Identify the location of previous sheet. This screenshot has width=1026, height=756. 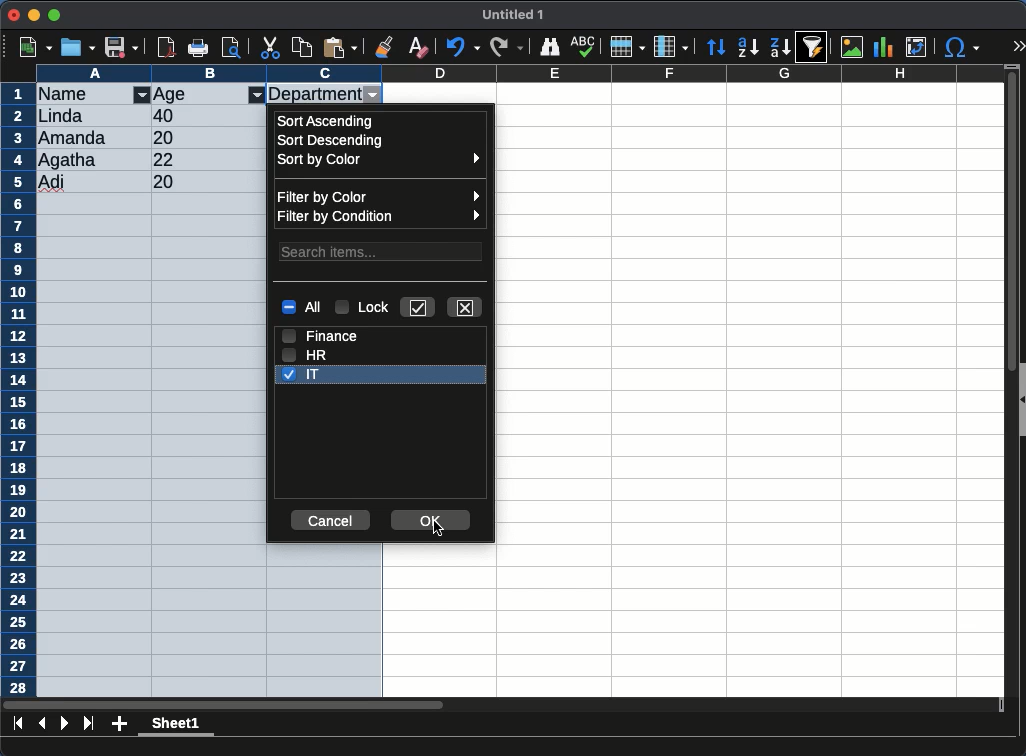
(44, 722).